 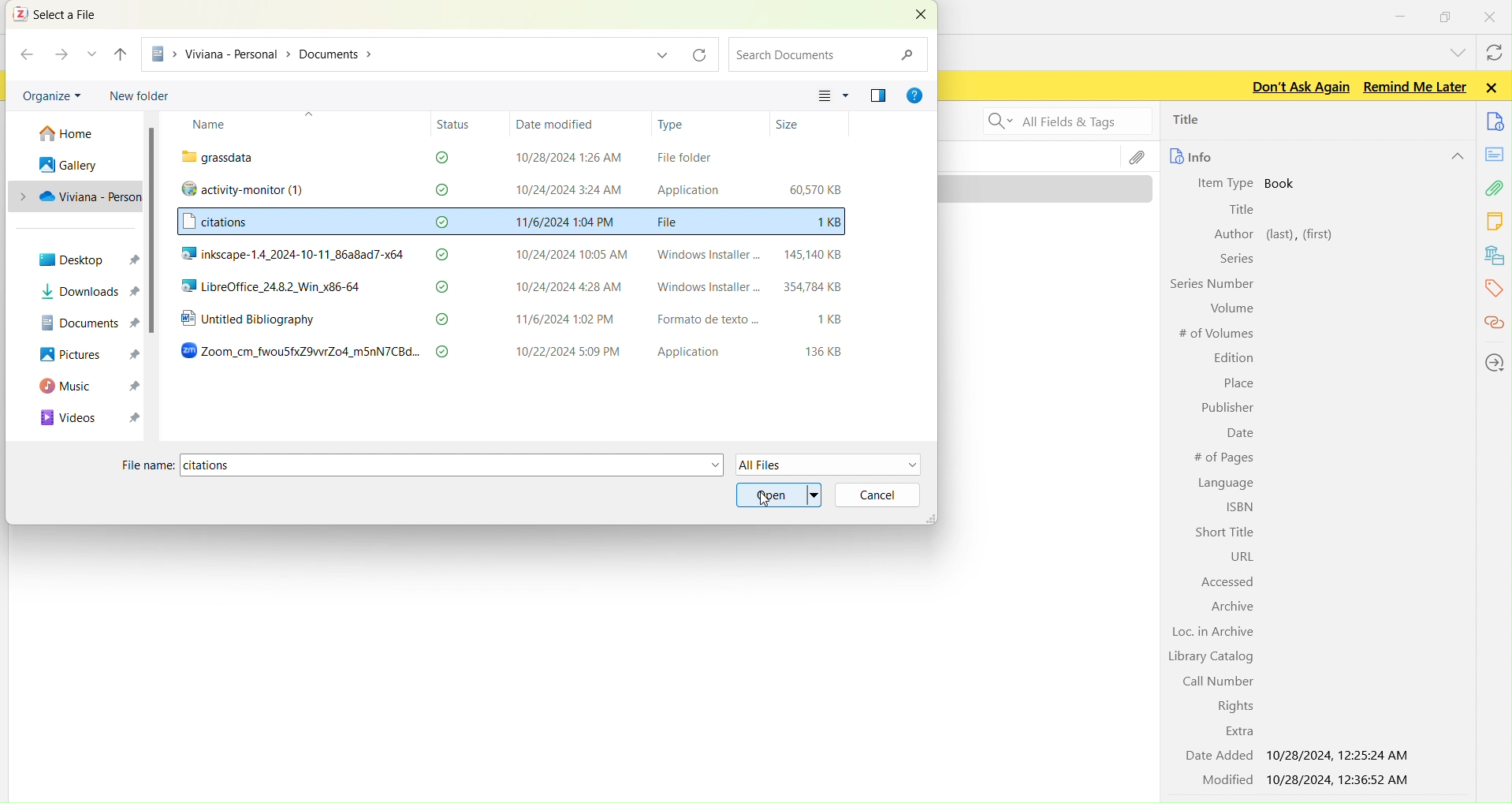 I want to click on all files, so click(x=825, y=464).